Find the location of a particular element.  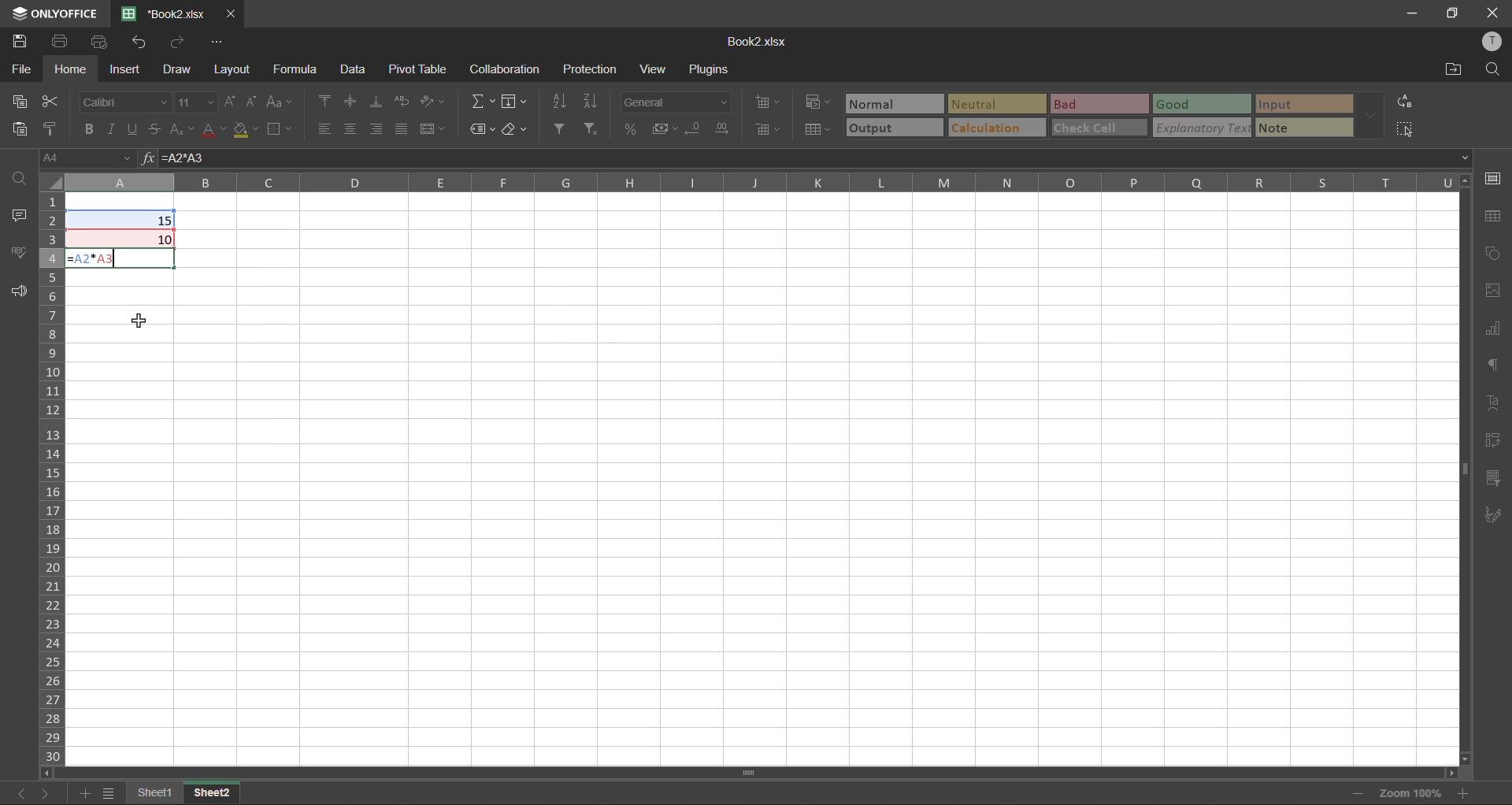

align right is located at coordinates (379, 128).